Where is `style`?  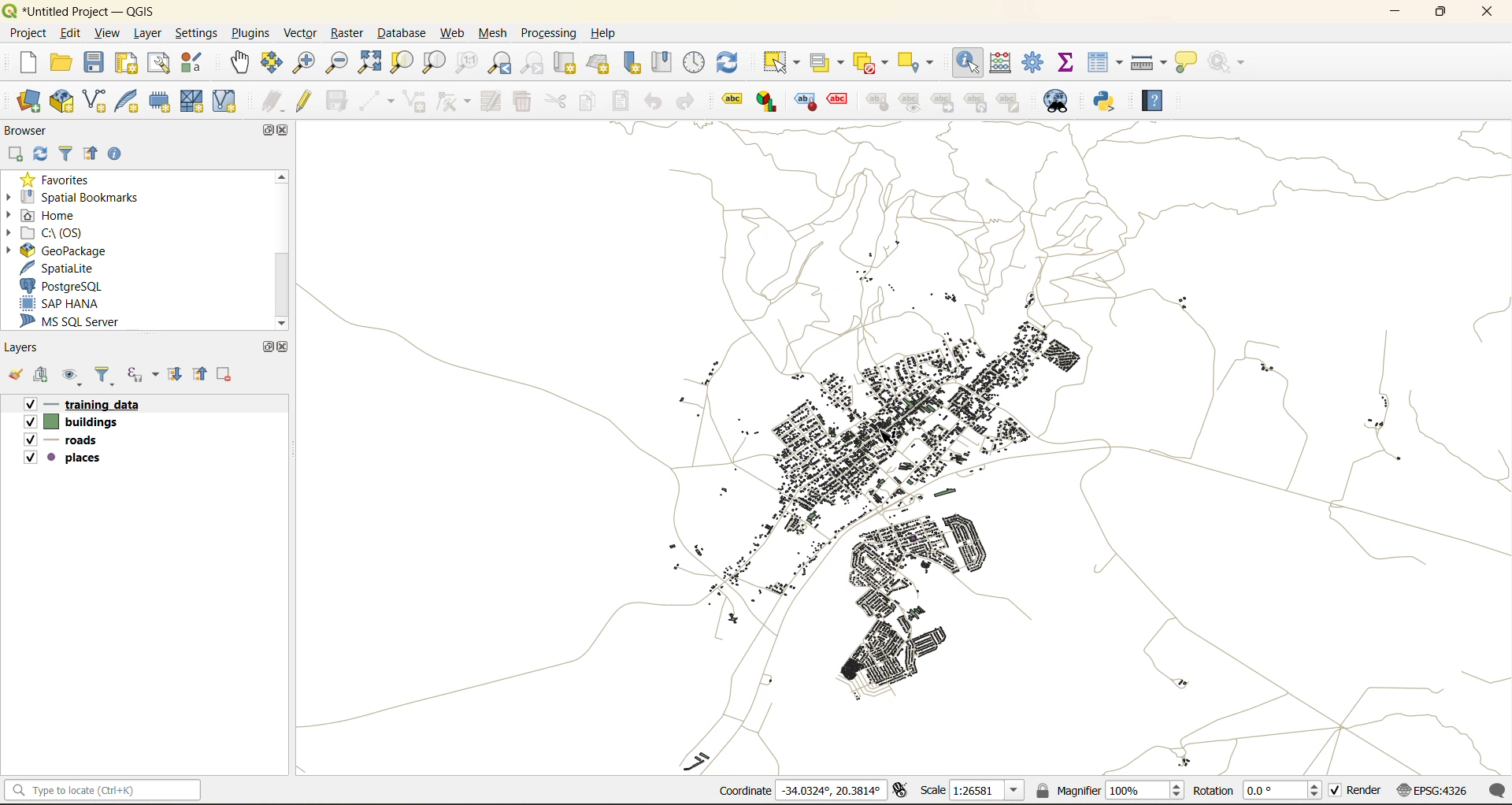
style is located at coordinates (802, 102).